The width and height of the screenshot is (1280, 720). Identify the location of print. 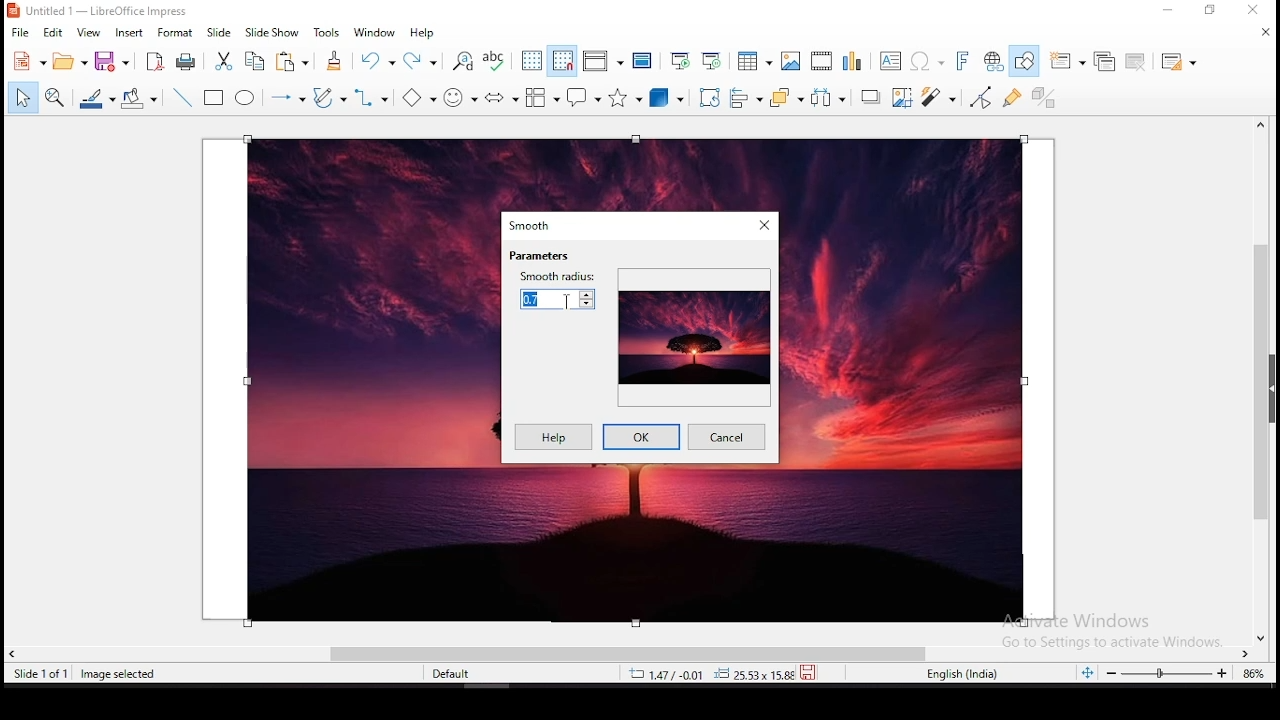
(183, 61).